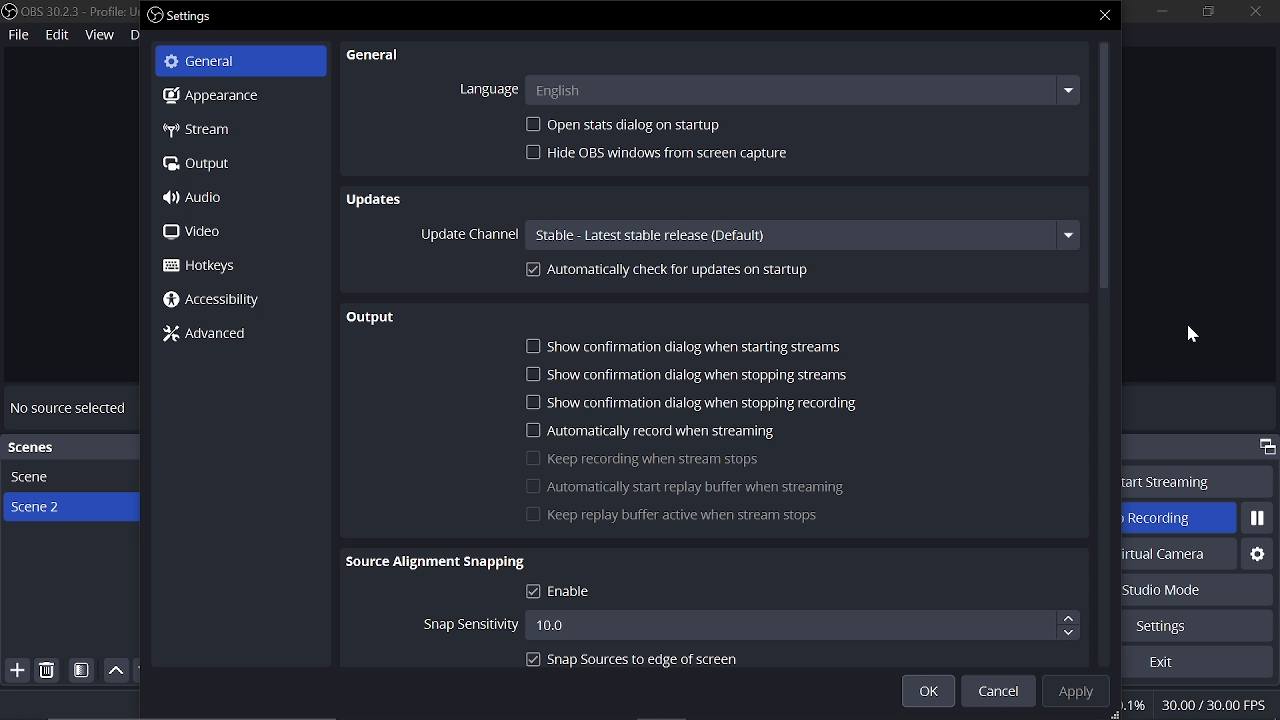  Describe the element at coordinates (738, 272) in the screenshot. I see `automatically check for updates when start up` at that location.